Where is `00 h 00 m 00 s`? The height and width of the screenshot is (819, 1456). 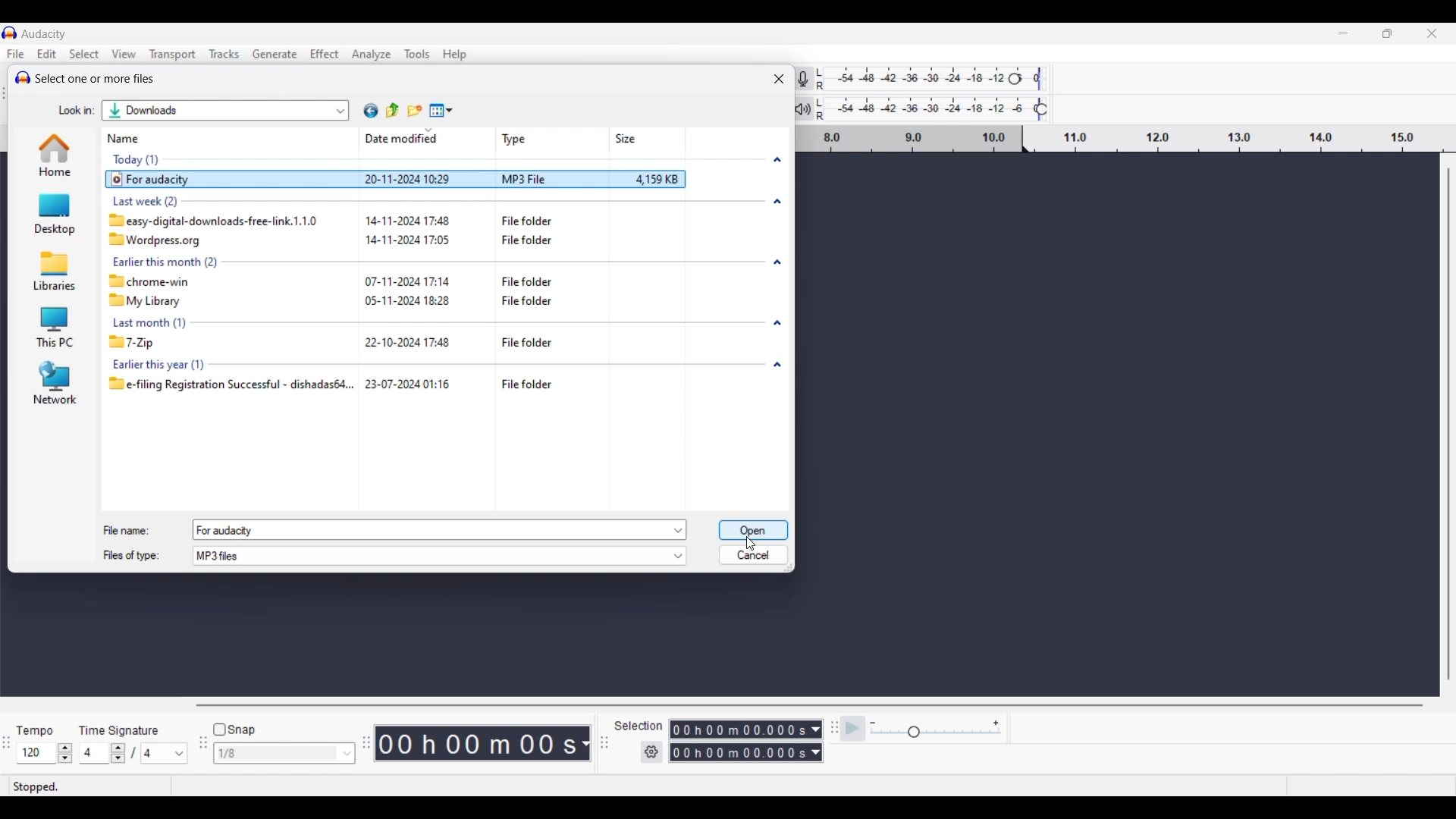 00 h 00 m 00 s is located at coordinates (485, 744).